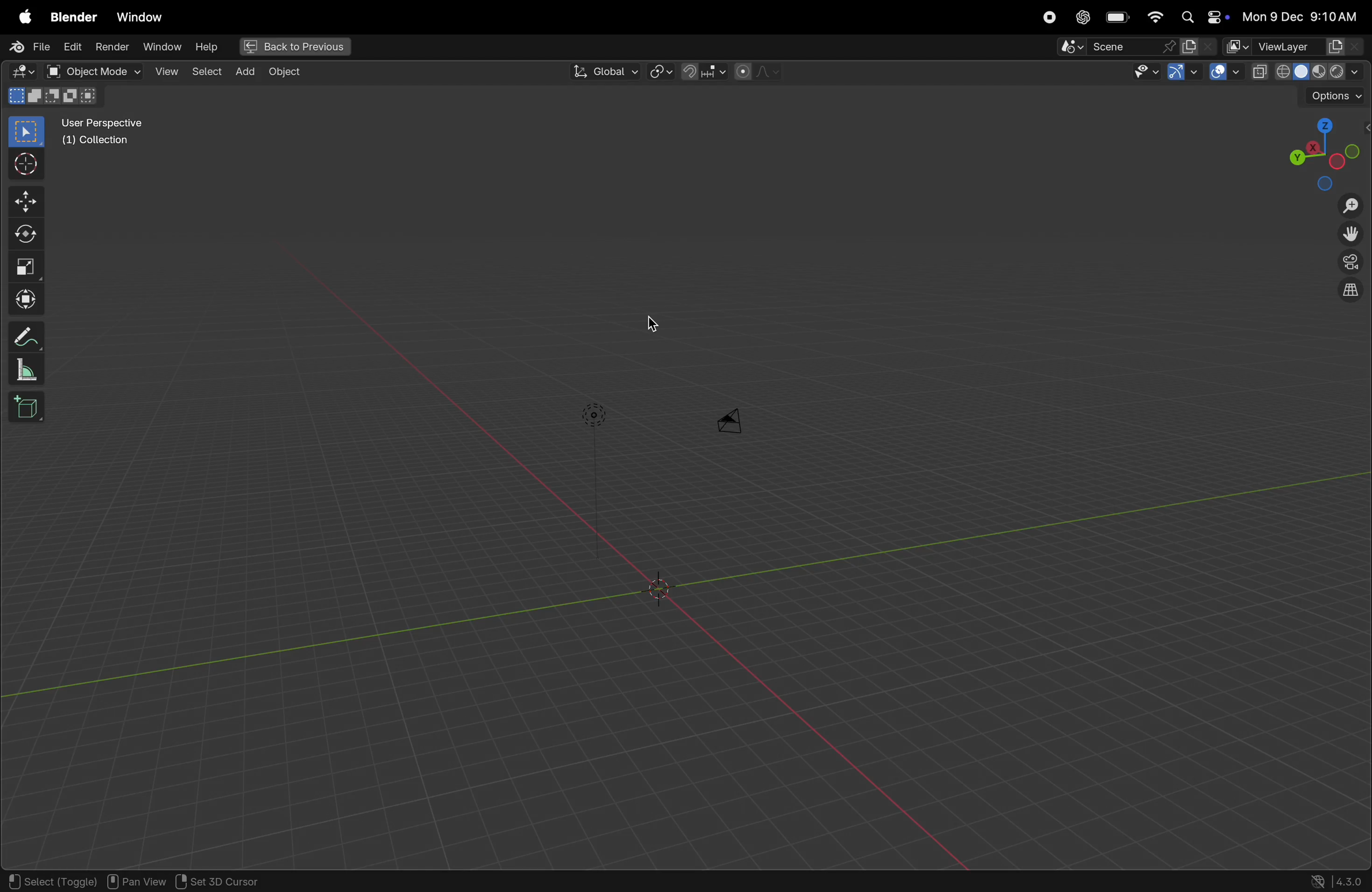  What do you see at coordinates (93, 71) in the screenshot?
I see `object mode` at bounding box center [93, 71].